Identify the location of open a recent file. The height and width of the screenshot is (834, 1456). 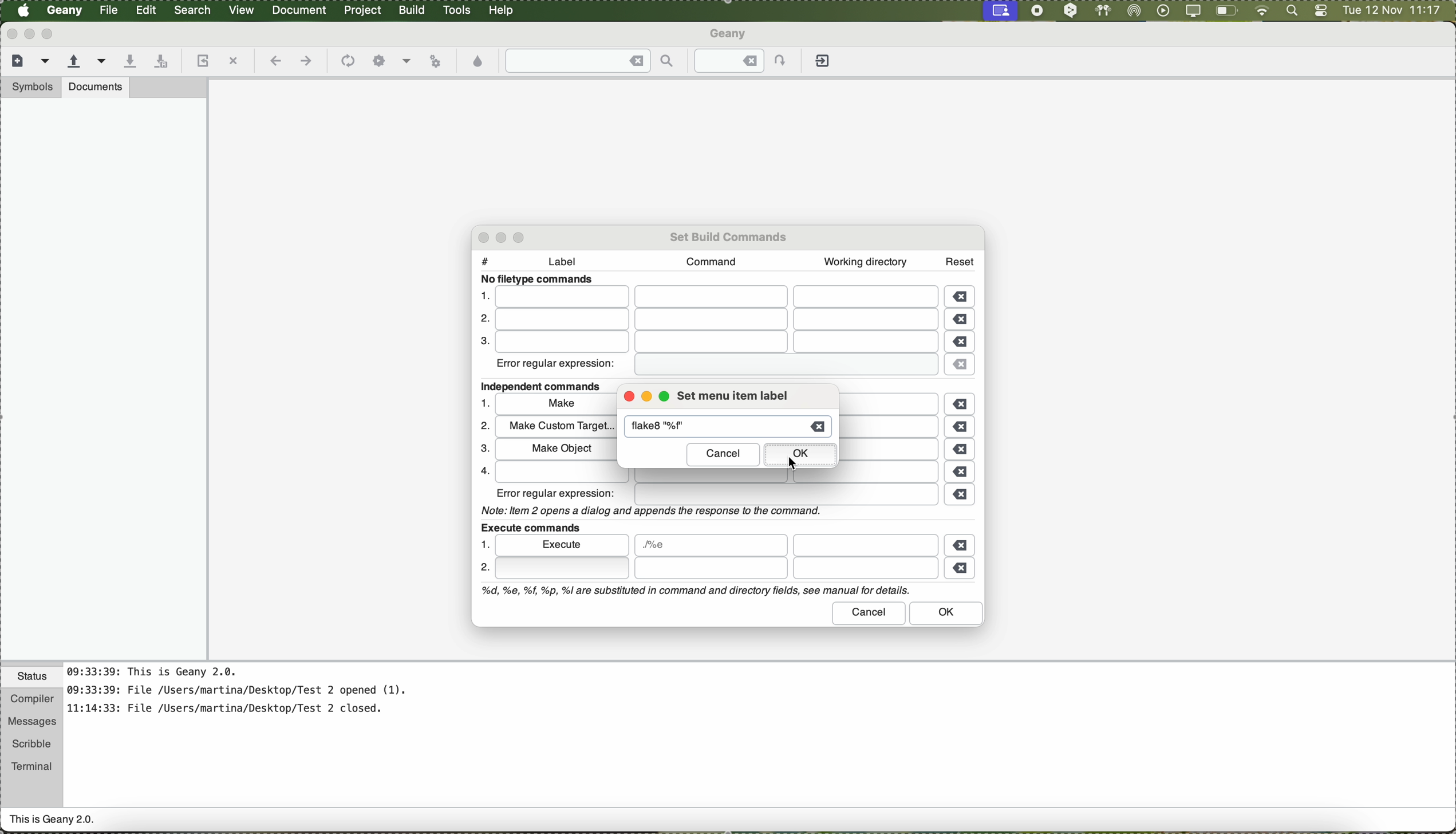
(102, 61).